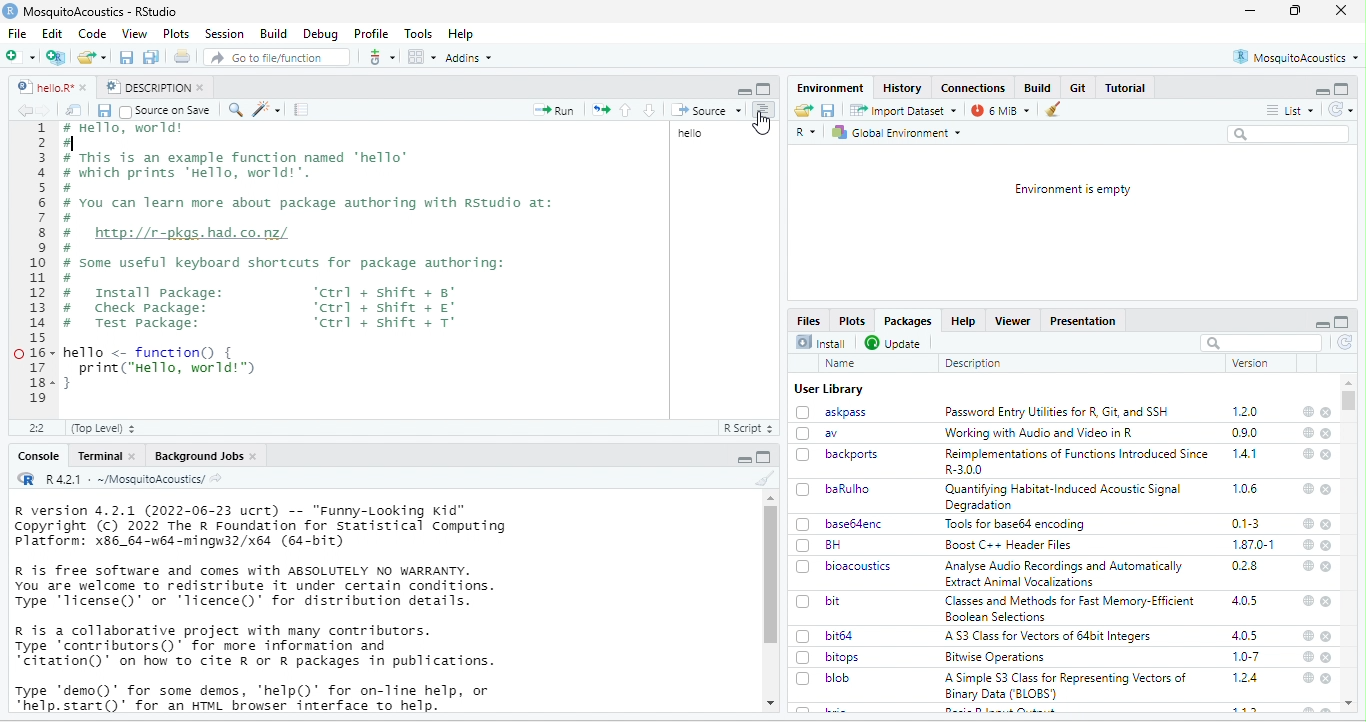  What do you see at coordinates (1000, 110) in the screenshot?
I see `7 MiB` at bounding box center [1000, 110].